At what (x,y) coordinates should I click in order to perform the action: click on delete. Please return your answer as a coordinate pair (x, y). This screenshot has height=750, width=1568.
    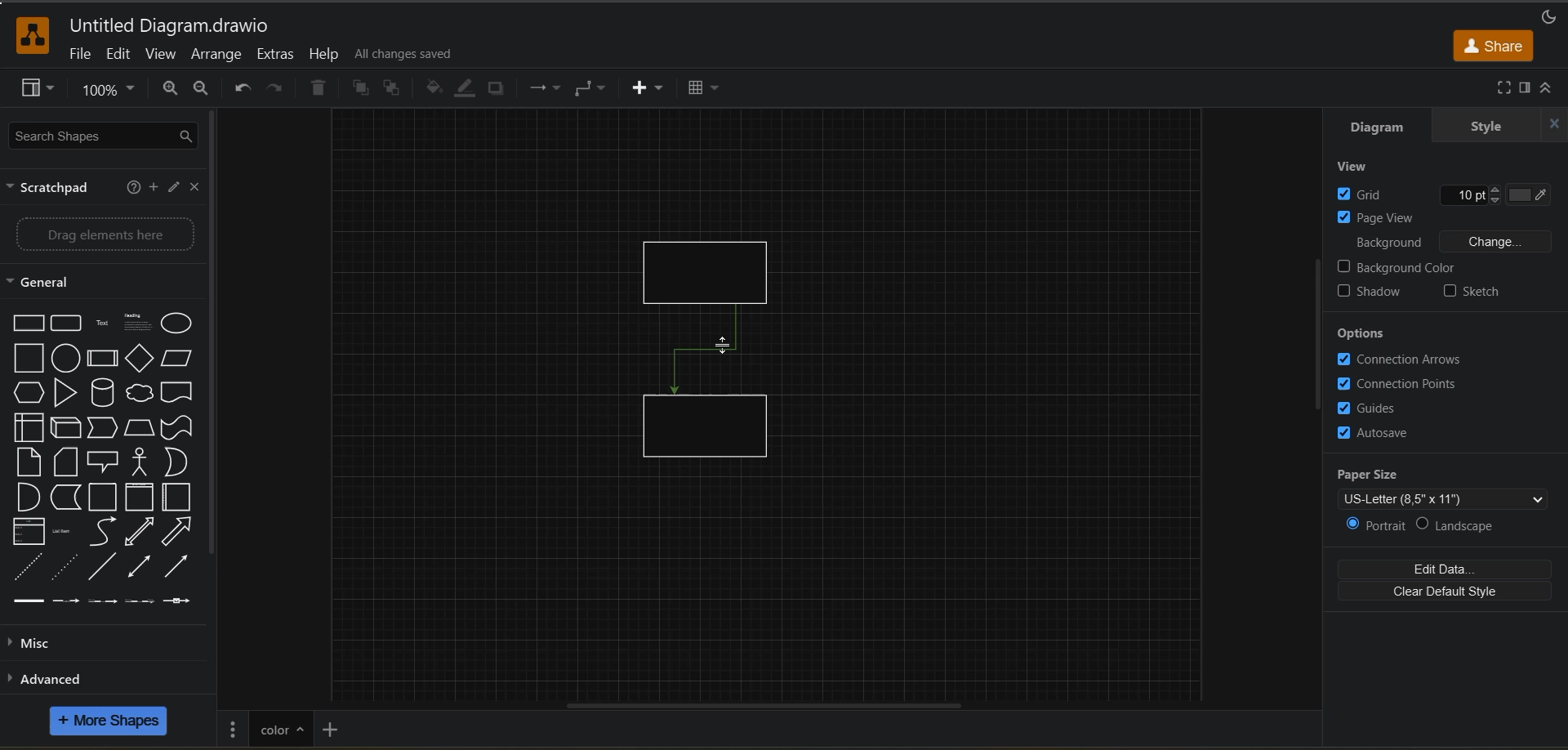
    Looking at the image, I should click on (322, 90).